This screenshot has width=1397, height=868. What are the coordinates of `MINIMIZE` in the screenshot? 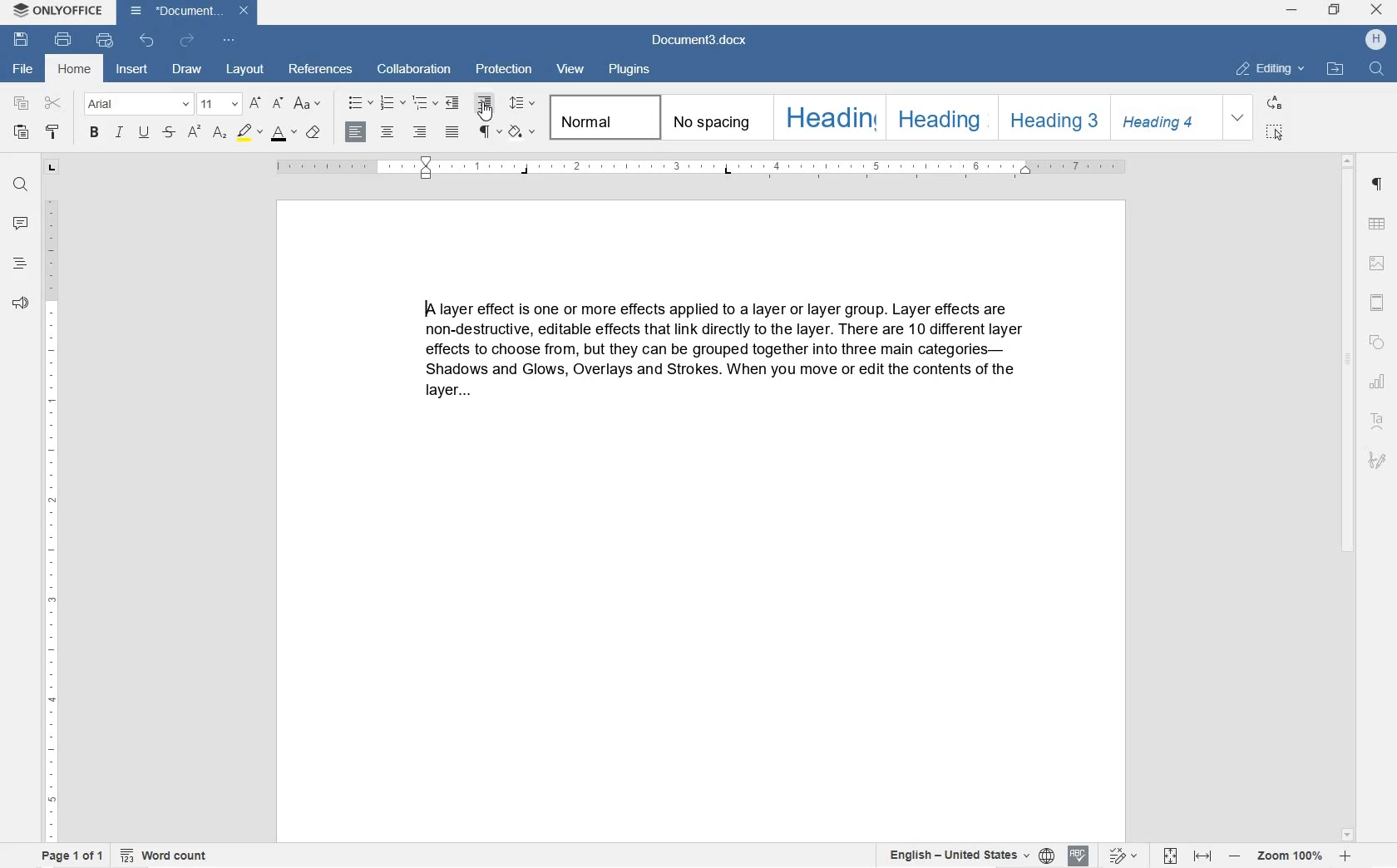 It's located at (1291, 11).